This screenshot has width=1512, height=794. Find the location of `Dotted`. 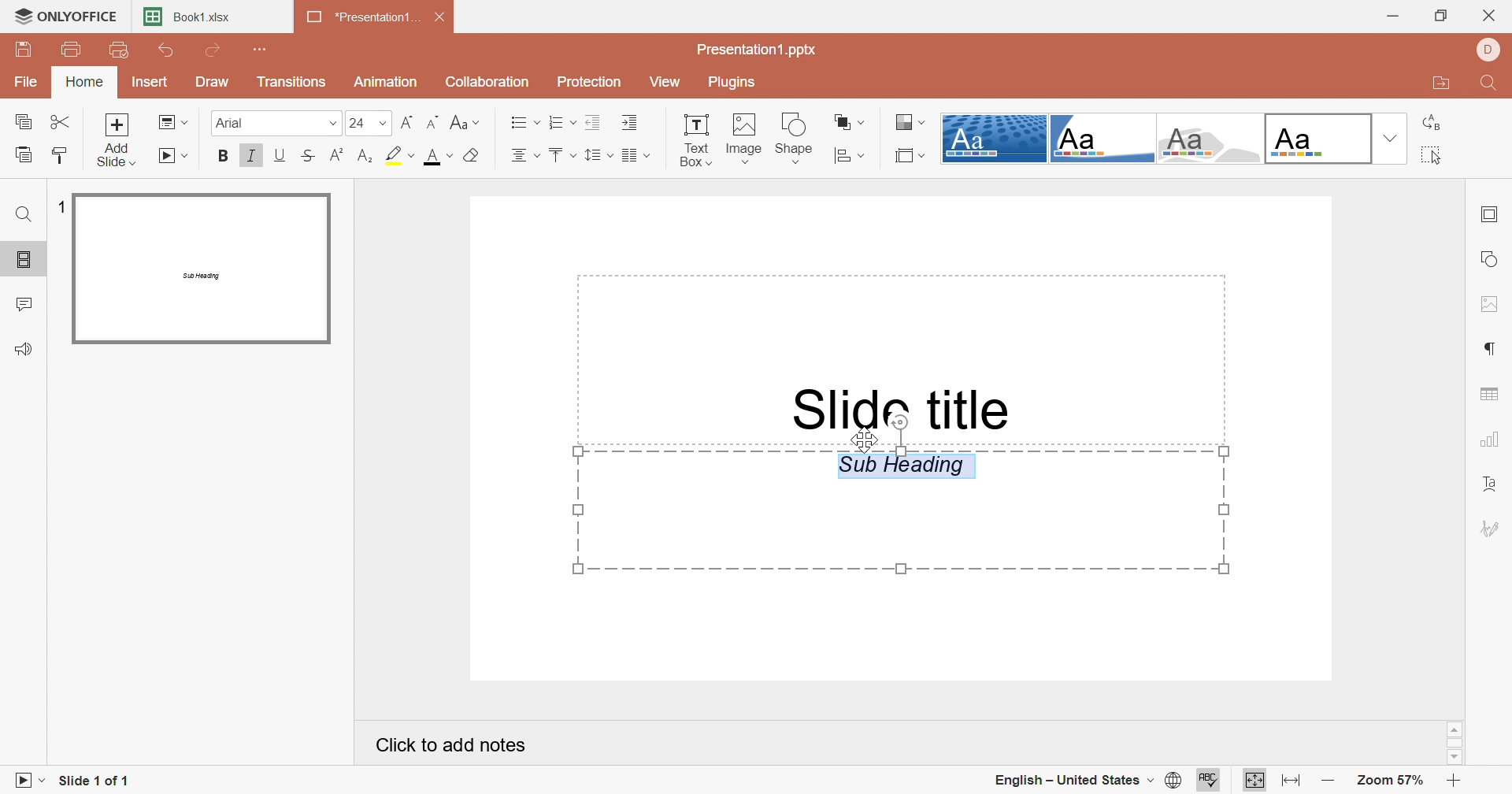

Dotted is located at coordinates (995, 138).